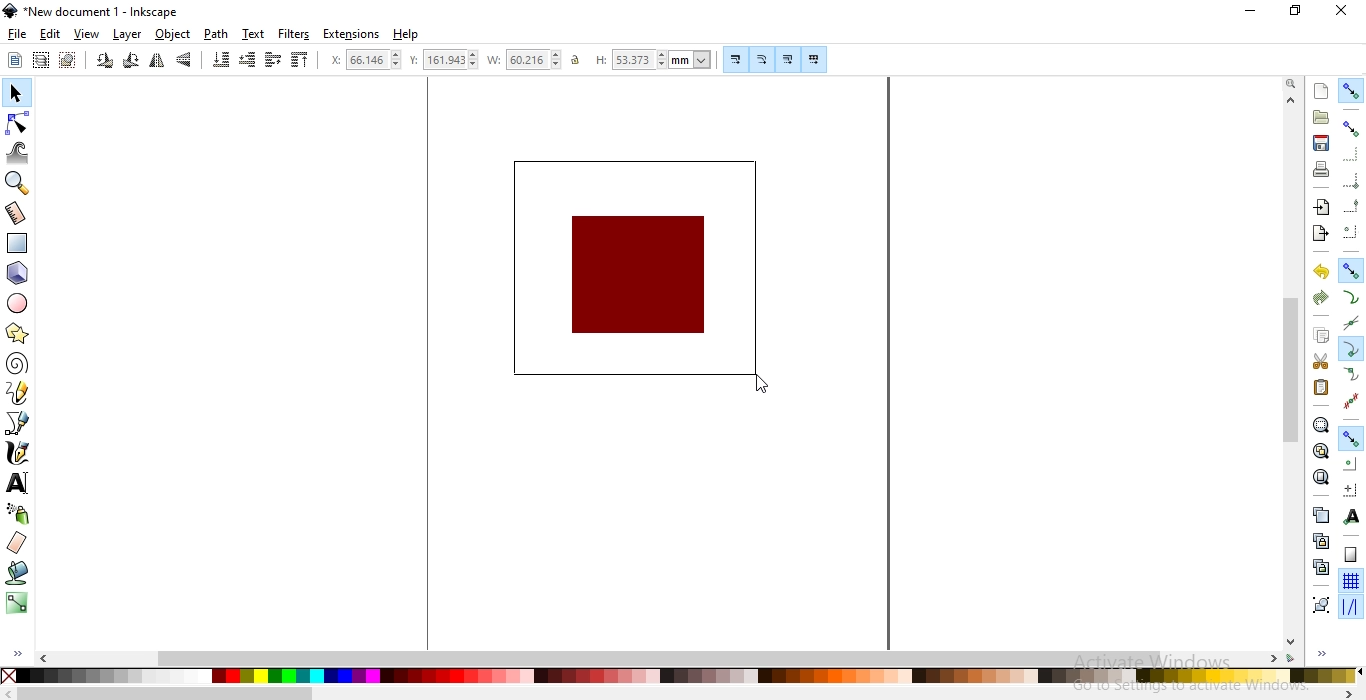 This screenshot has height=700, width=1366. I want to click on create stars and polygons, so click(16, 335).